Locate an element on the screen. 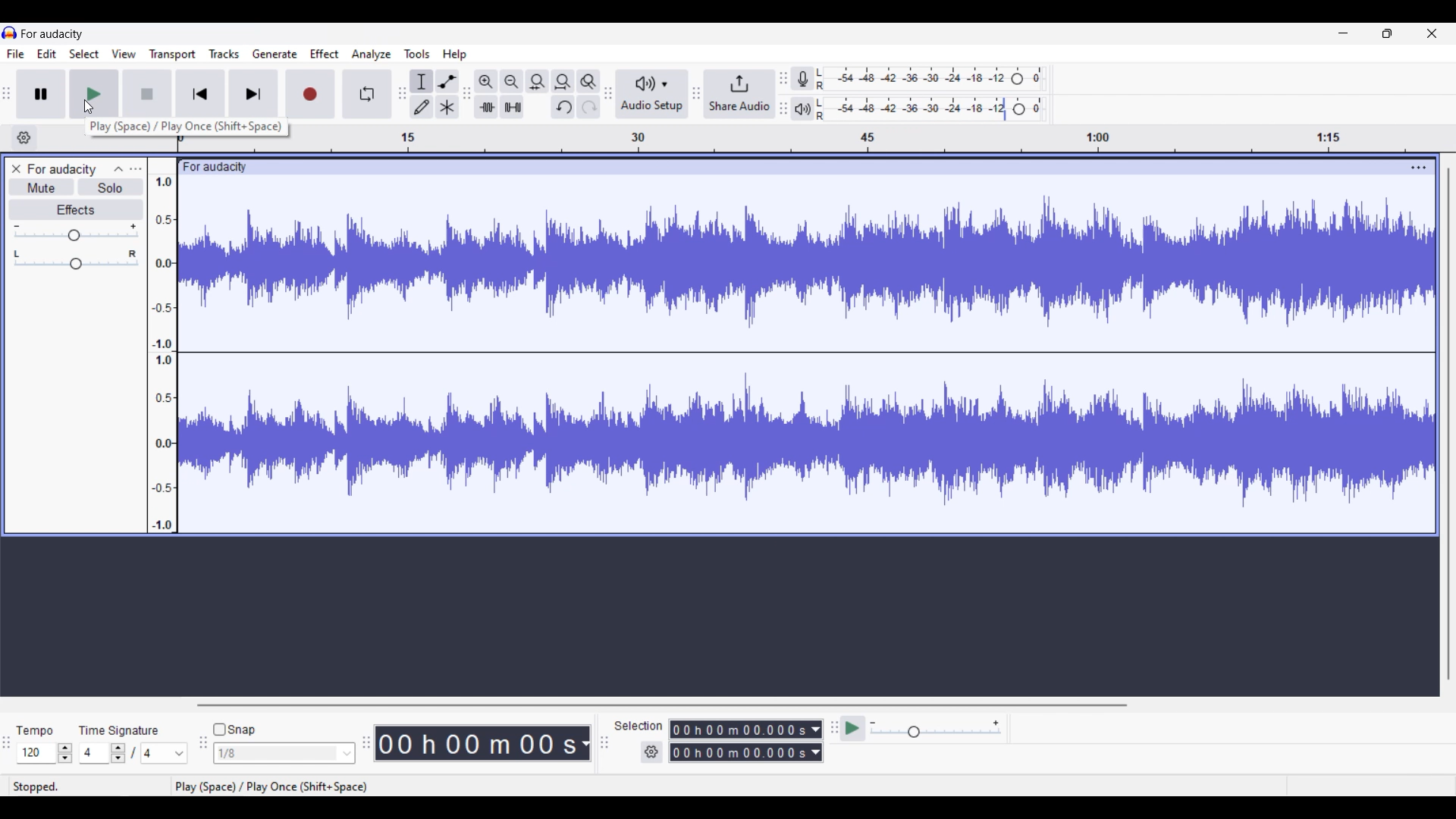 The height and width of the screenshot is (819, 1456). Description of current selection is located at coordinates (187, 127).